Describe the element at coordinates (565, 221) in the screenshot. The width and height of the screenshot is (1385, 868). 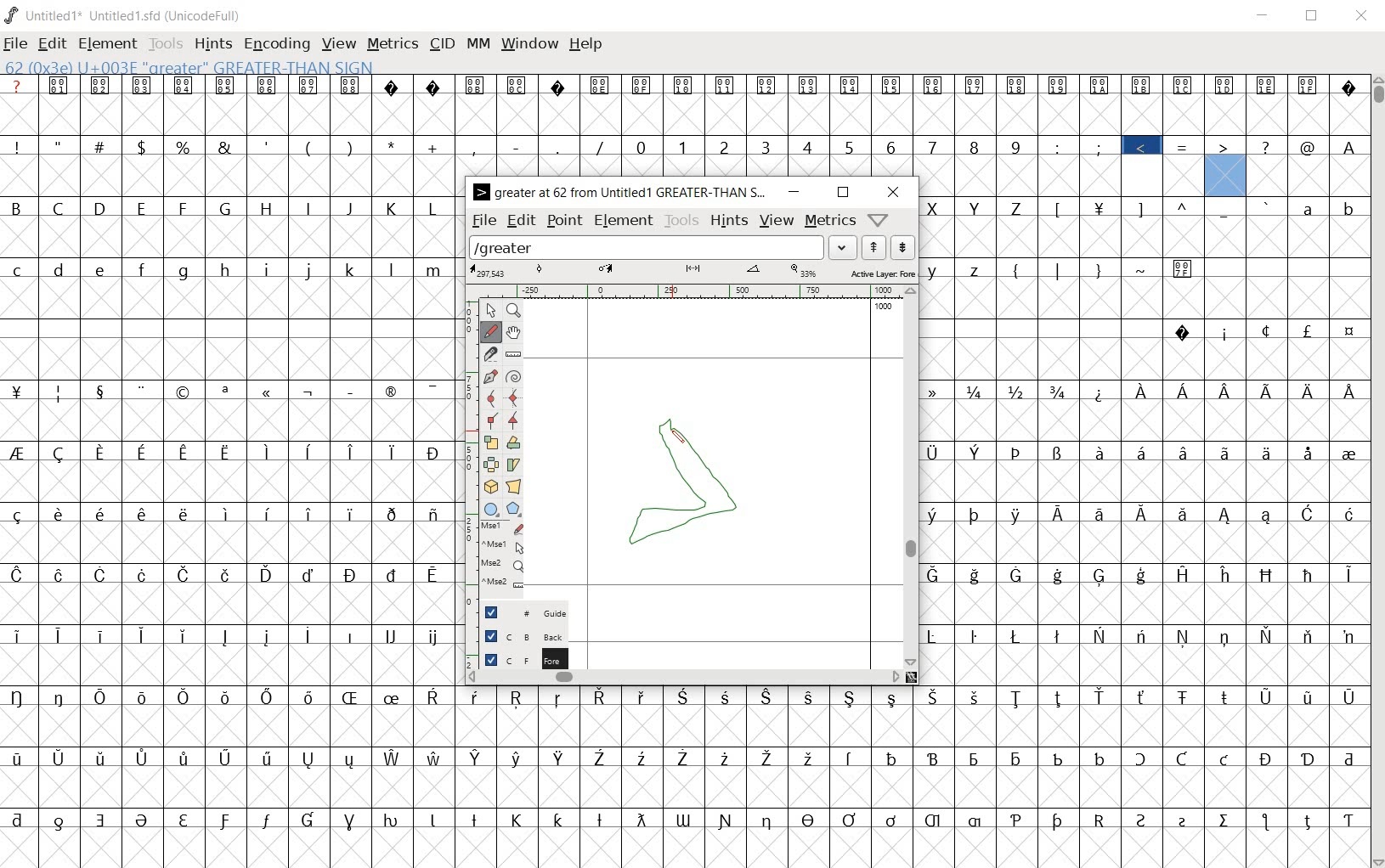
I see `point` at that location.